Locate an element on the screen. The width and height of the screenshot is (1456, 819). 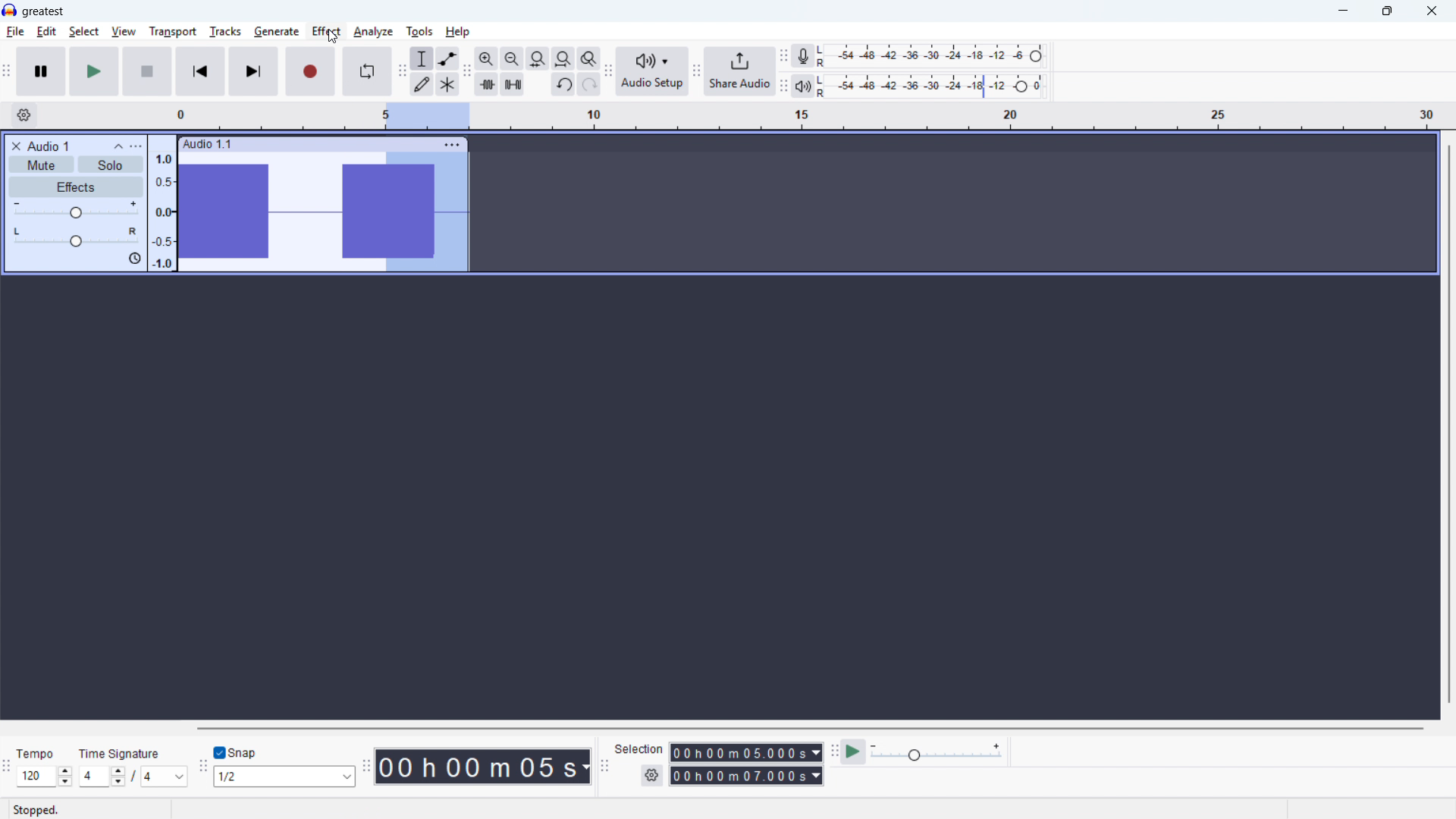
Mute  is located at coordinates (41, 164).